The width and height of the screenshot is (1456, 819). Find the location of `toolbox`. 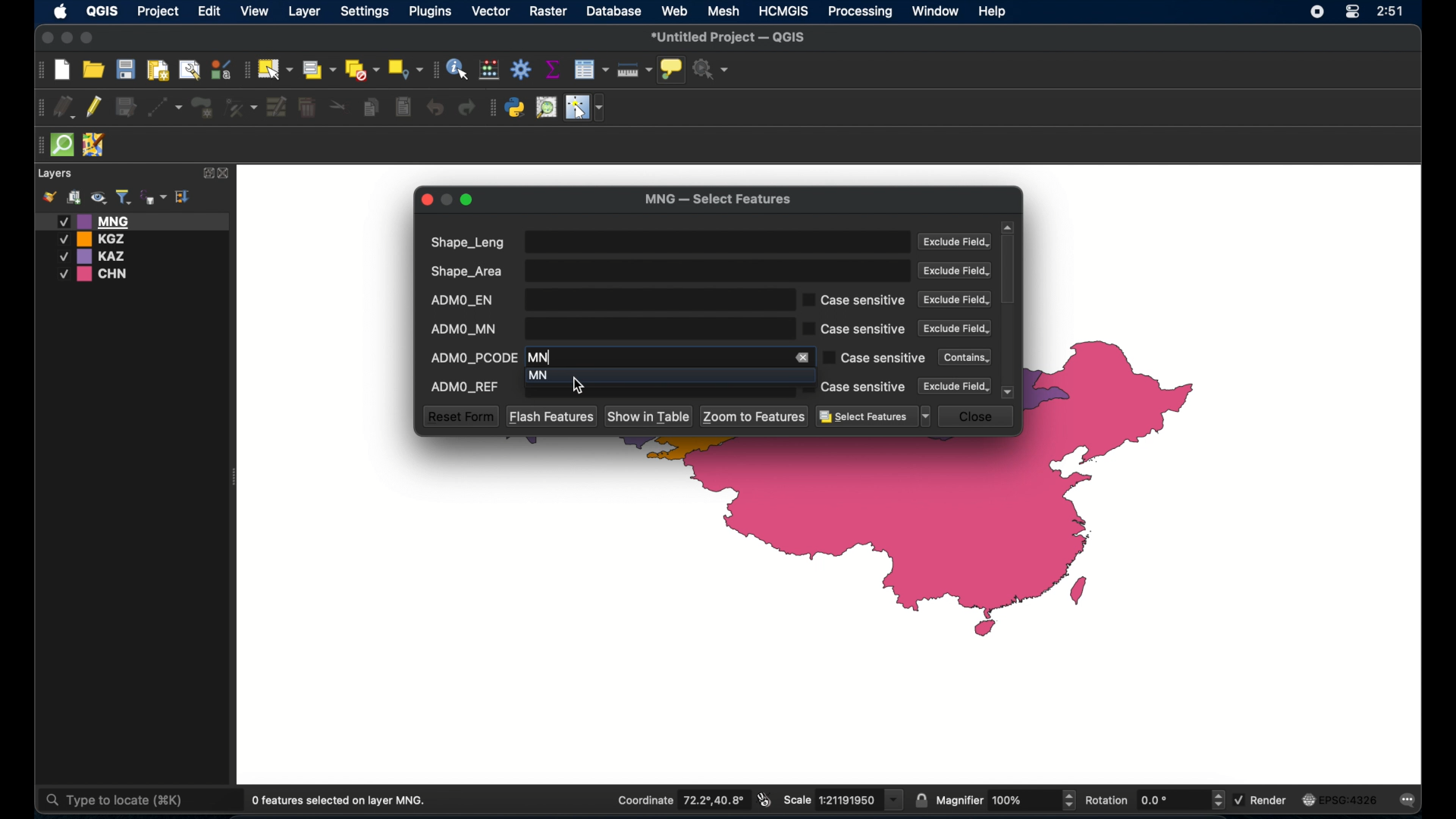

toolbox is located at coordinates (521, 69).